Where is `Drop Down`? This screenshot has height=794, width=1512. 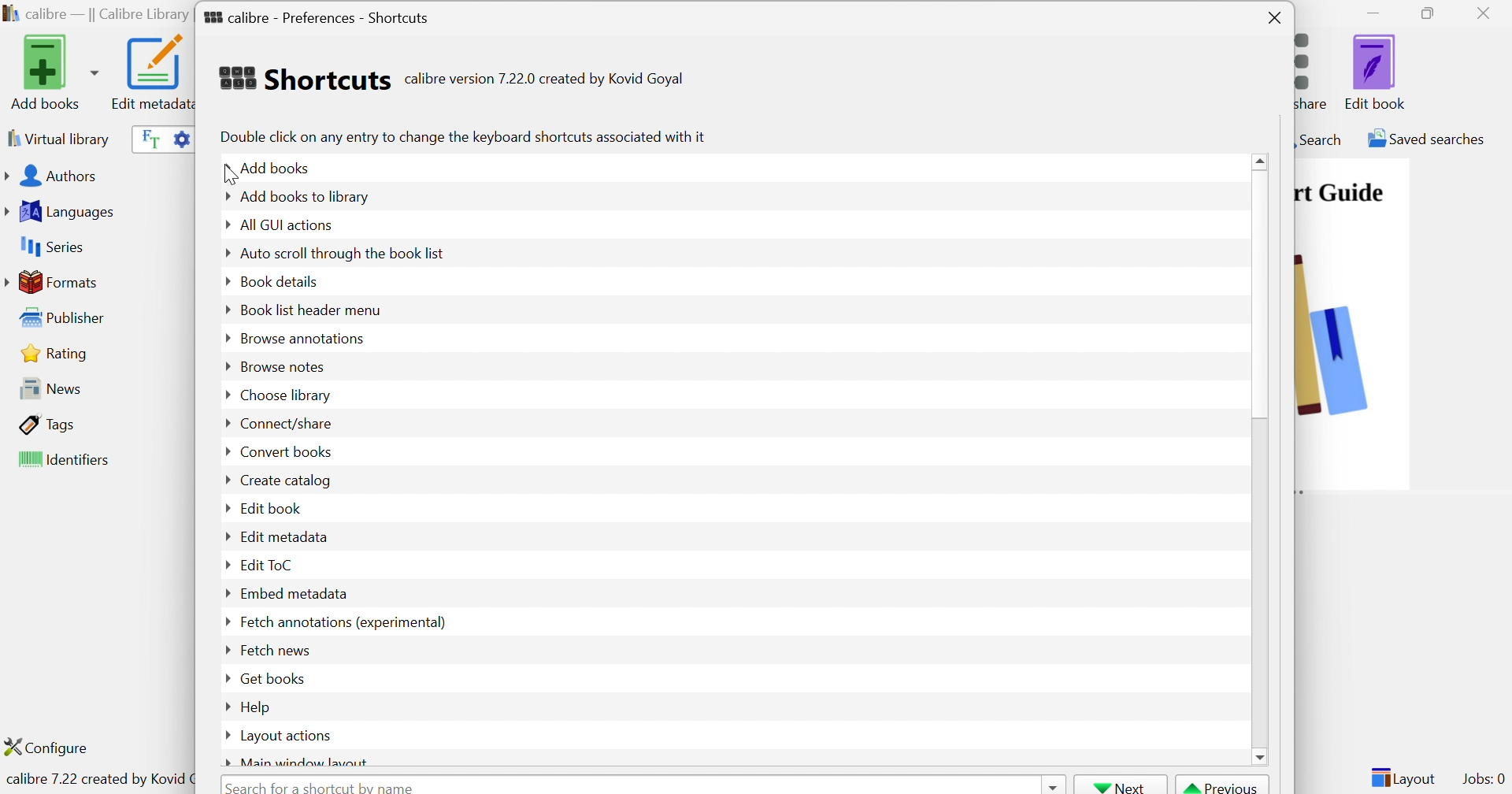
Drop Down is located at coordinates (223, 595).